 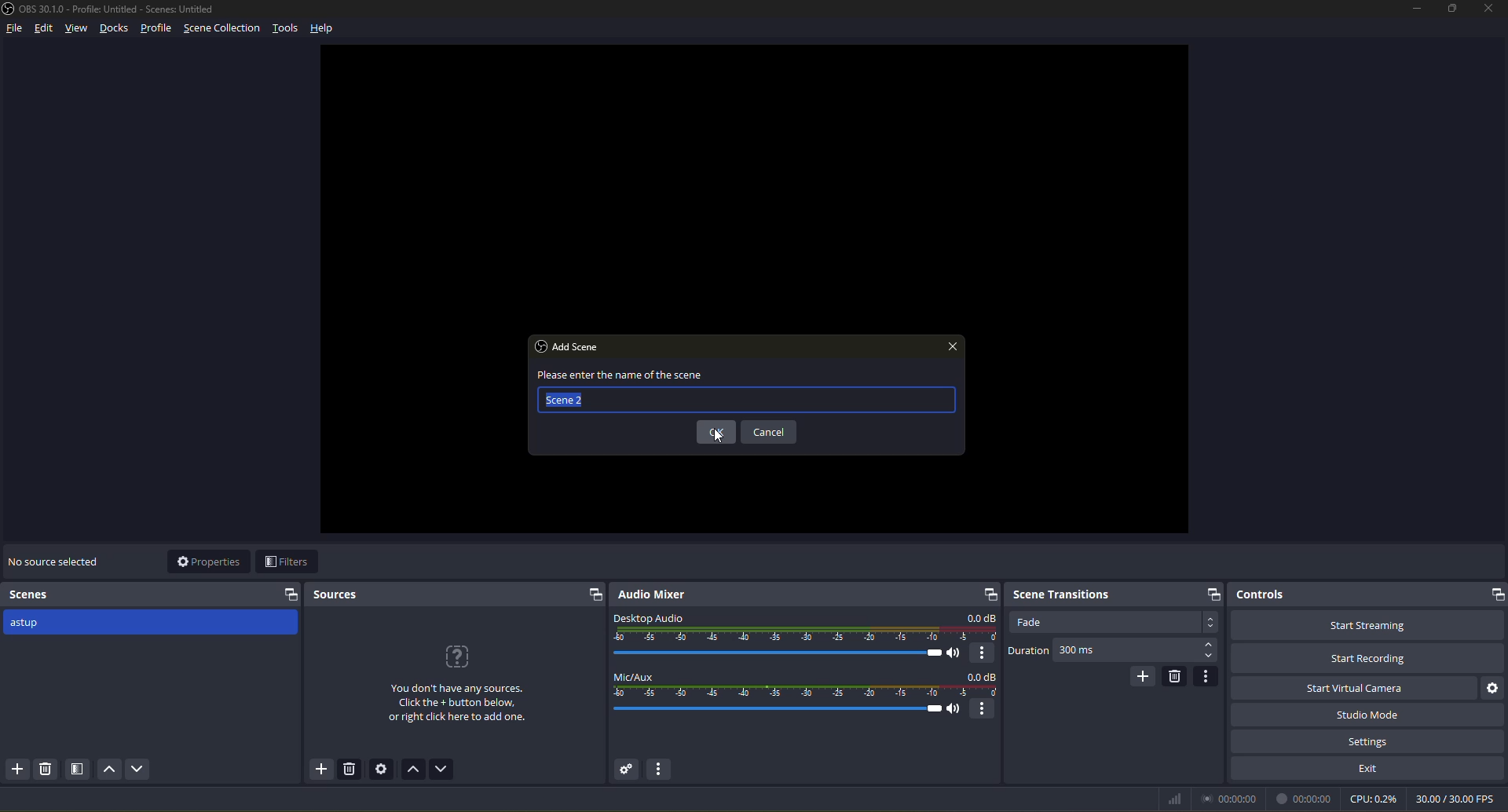 What do you see at coordinates (990, 594) in the screenshot?
I see `expand` at bounding box center [990, 594].